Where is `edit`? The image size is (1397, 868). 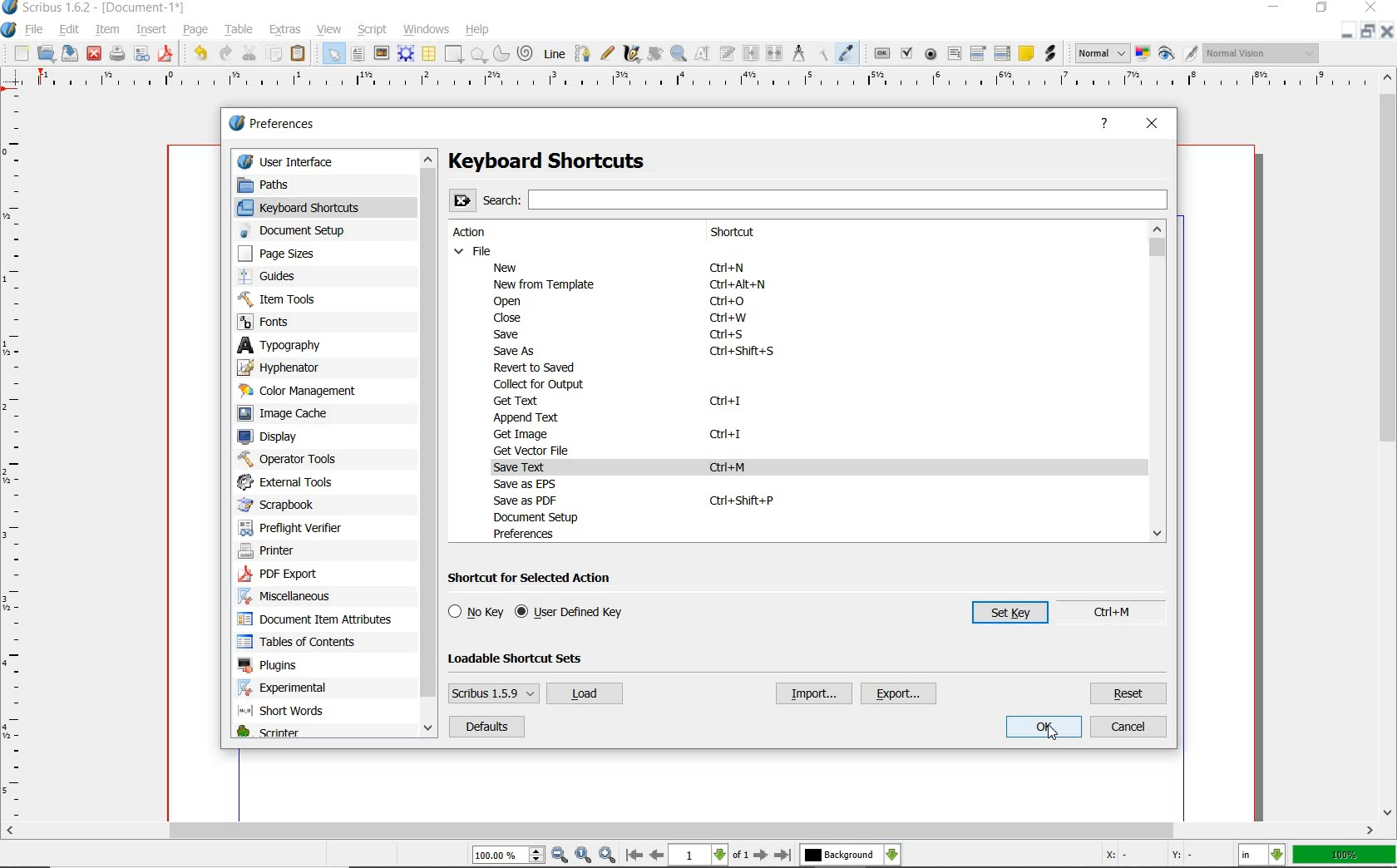 edit is located at coordinates (71, 29).